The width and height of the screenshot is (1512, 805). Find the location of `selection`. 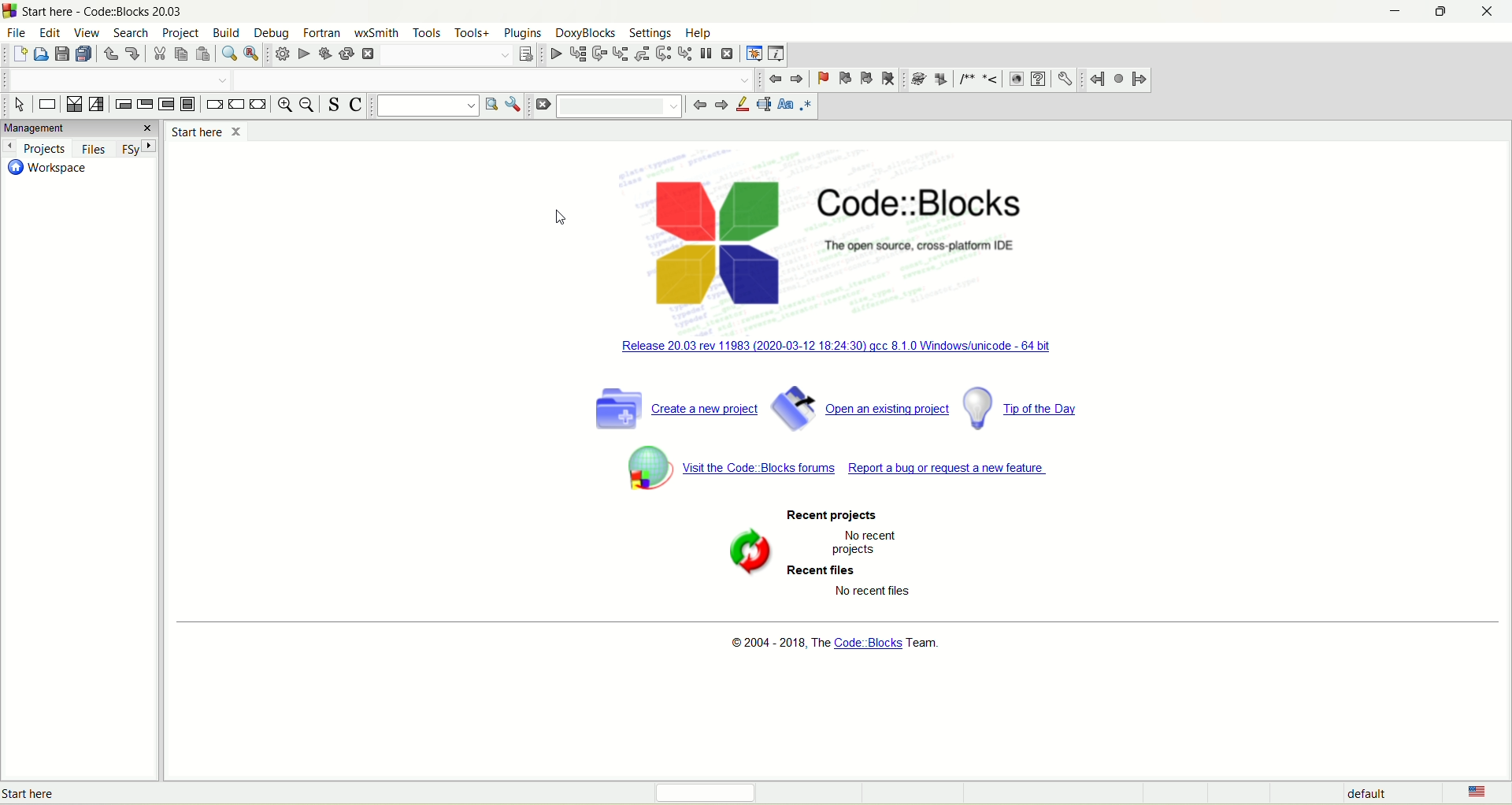

selection is located at coordinates (97, 104).